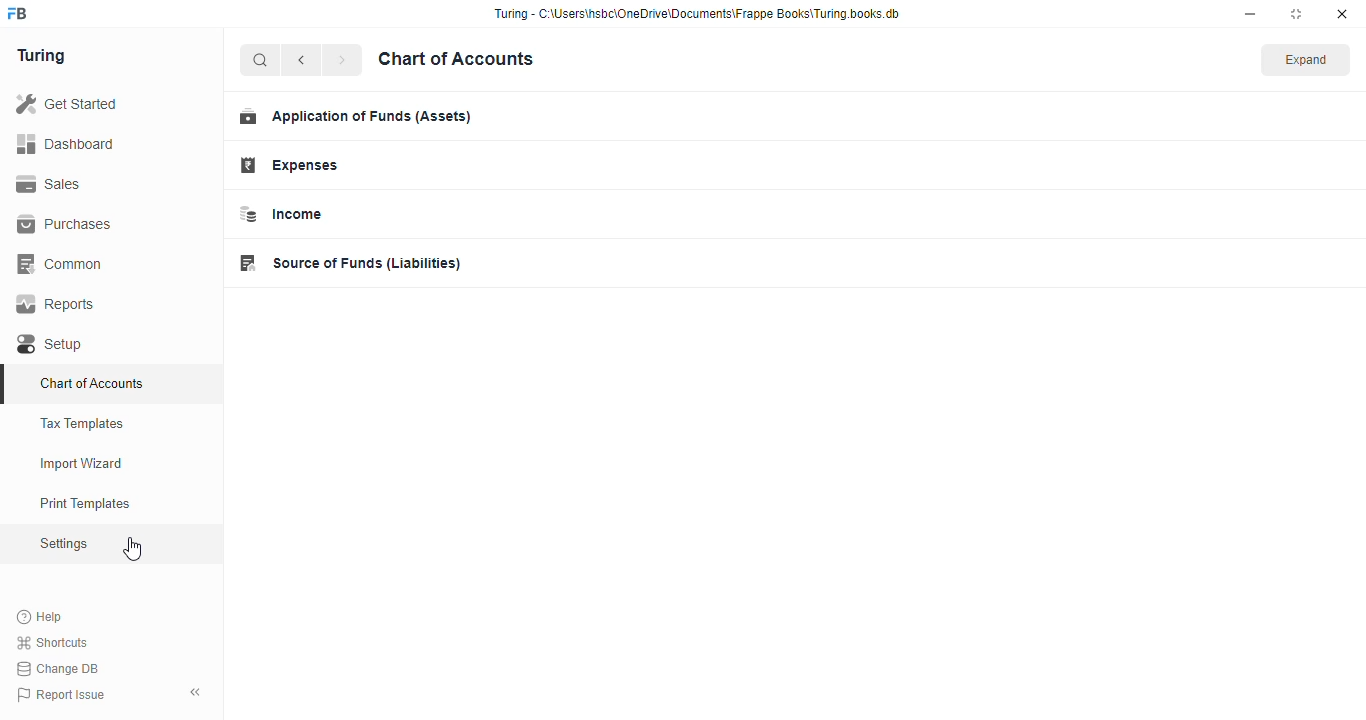 The image size is (1366, 720). What do you see at coordinates (65, 143) in the screenshot?
I see `dashboard` at bounding box center [65, 143].